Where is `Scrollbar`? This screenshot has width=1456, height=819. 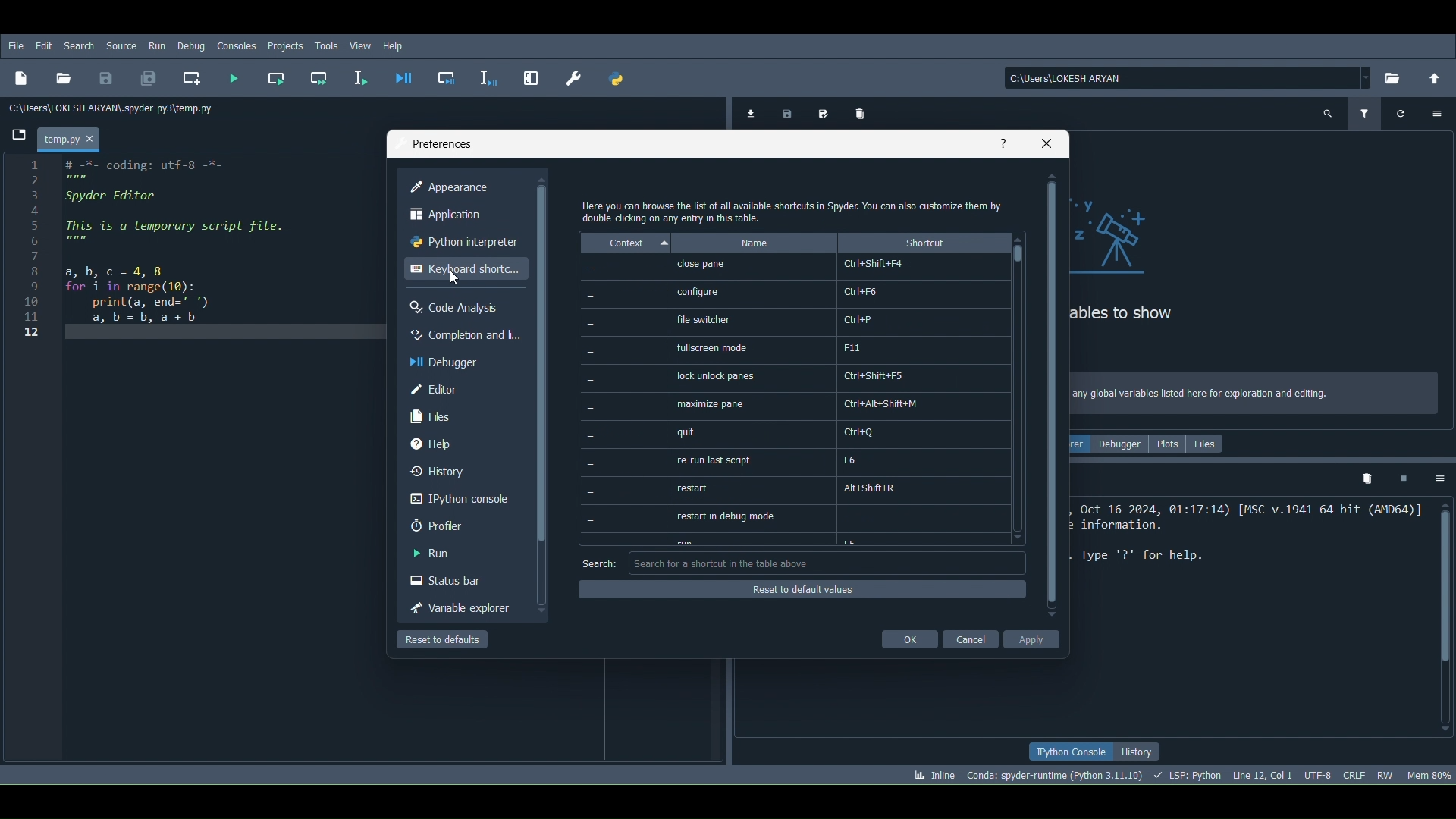 Scrollbar is located at coordinates (1051, 393).